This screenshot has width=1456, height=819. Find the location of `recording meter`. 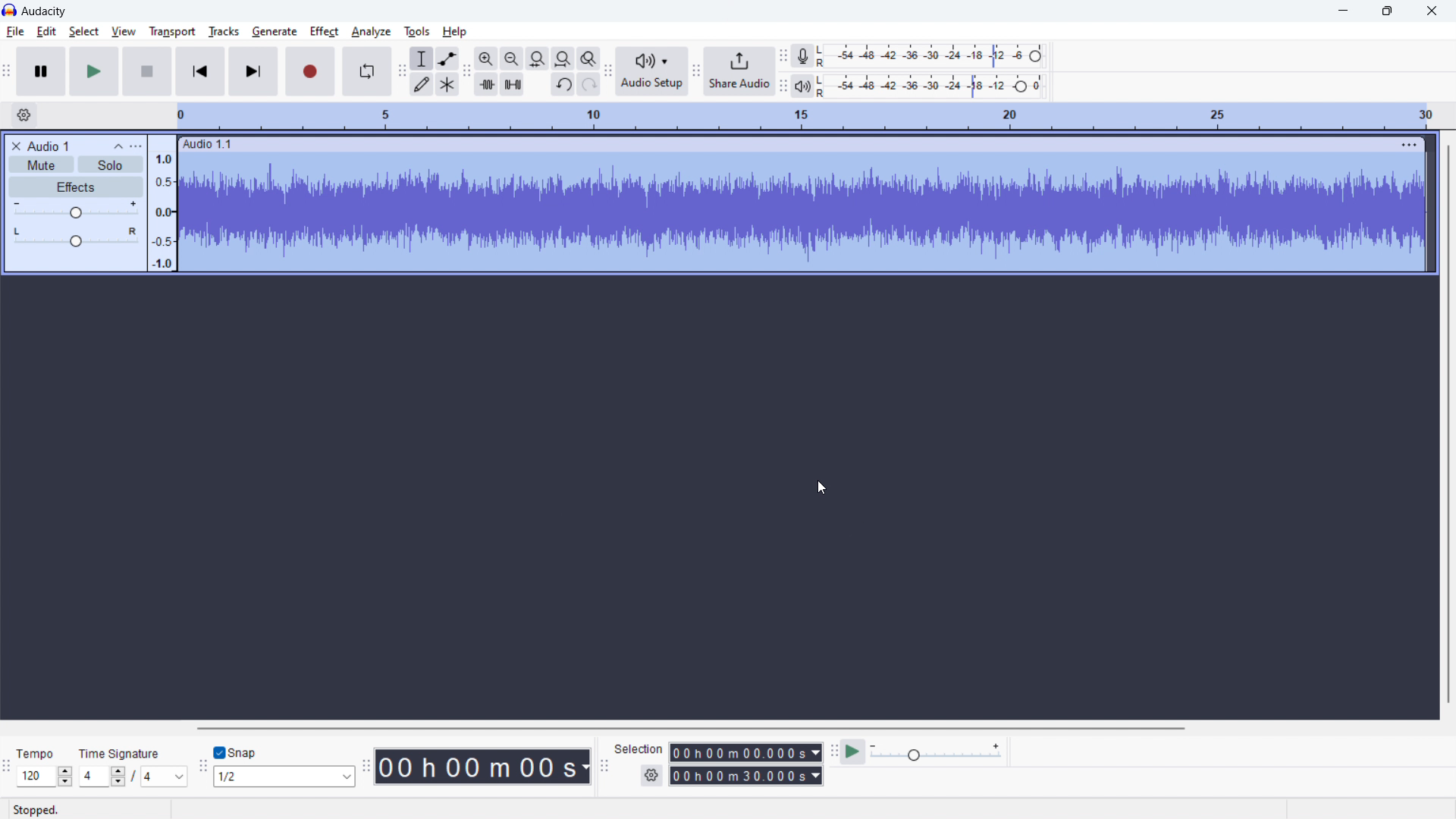

recording meter is located at coordinates (930, 56).